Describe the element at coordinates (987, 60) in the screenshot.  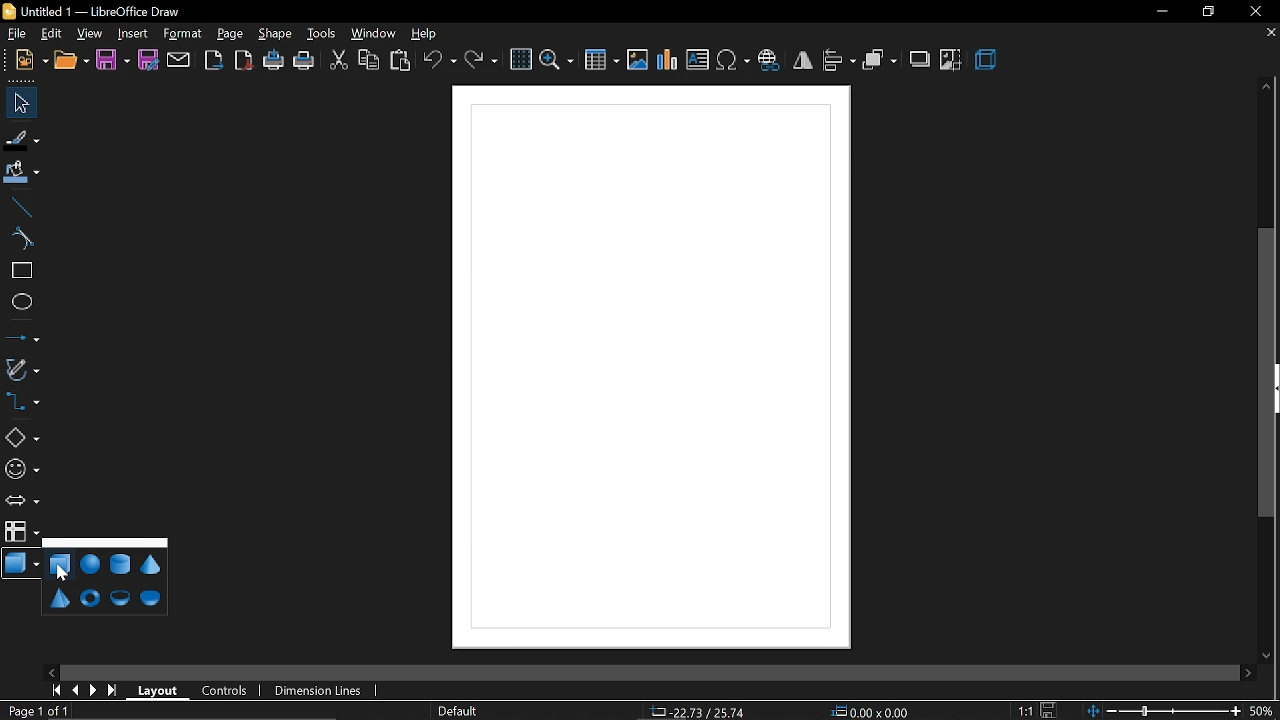
I see `3d effect` at that location.